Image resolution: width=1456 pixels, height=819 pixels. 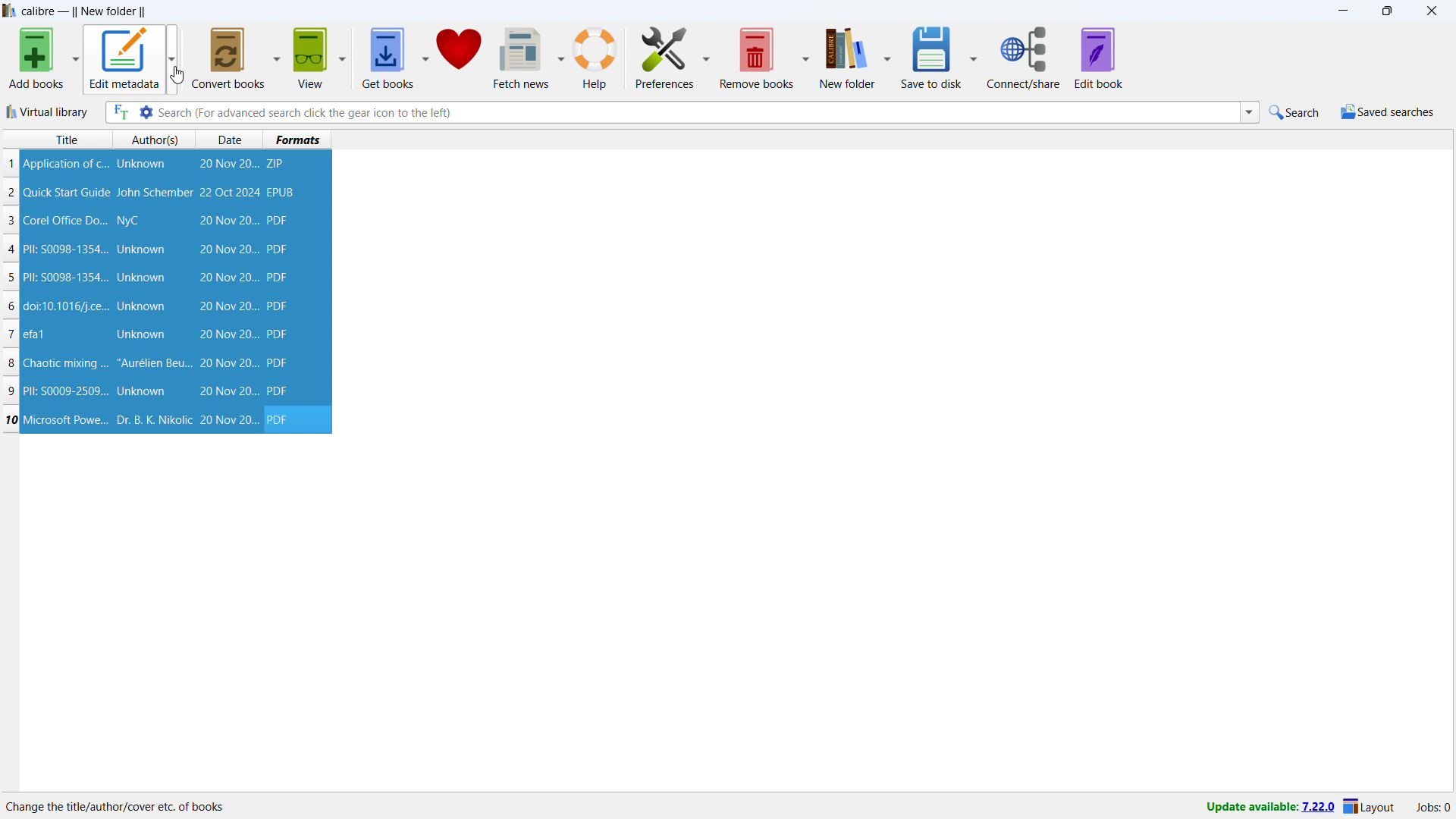 What do you see at coordinates (141, 391) in the screenshot?
I see `Unknown` at bounding box center [141, 391].